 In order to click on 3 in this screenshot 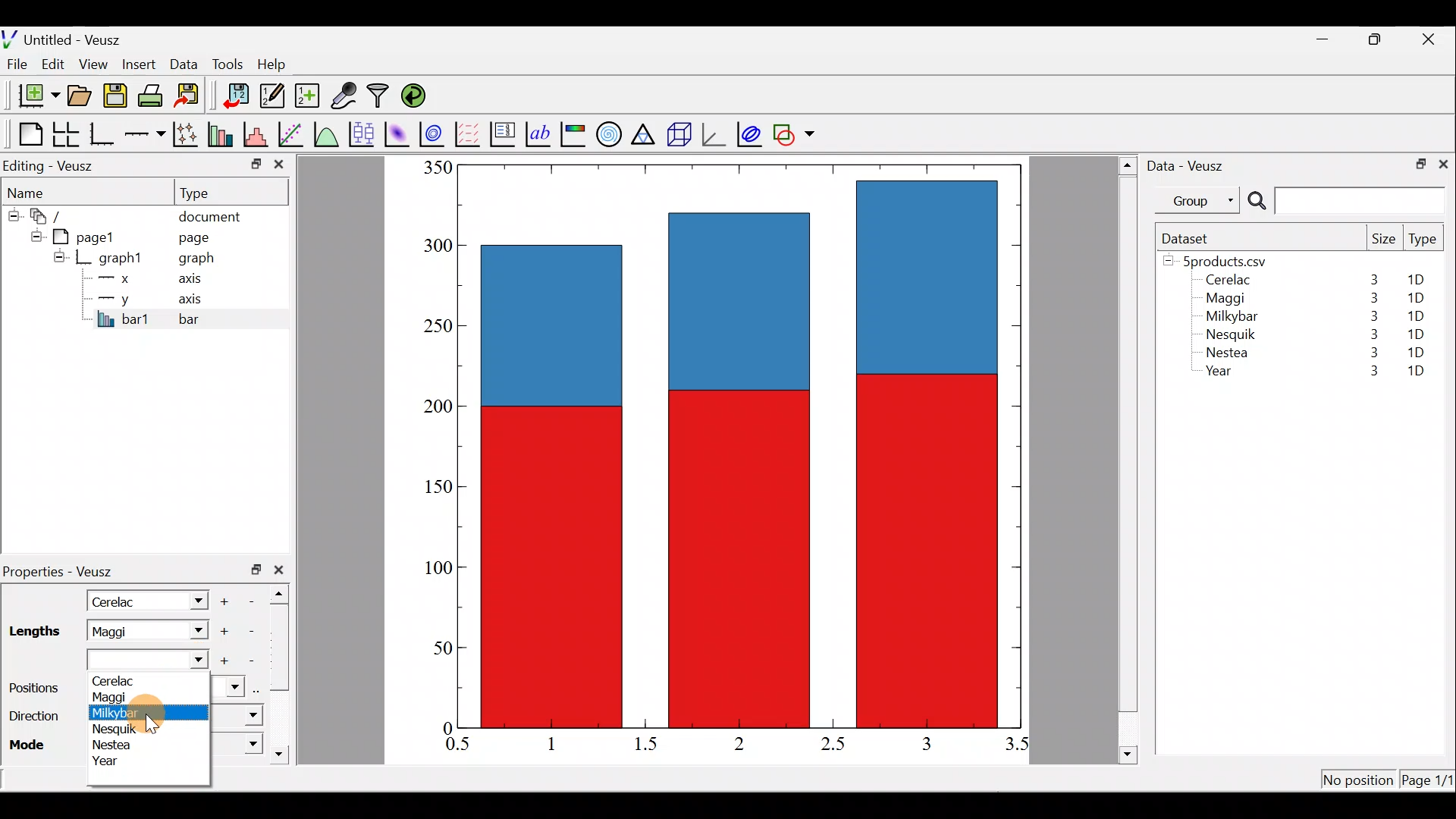, I will do `click(1370, 298)`.